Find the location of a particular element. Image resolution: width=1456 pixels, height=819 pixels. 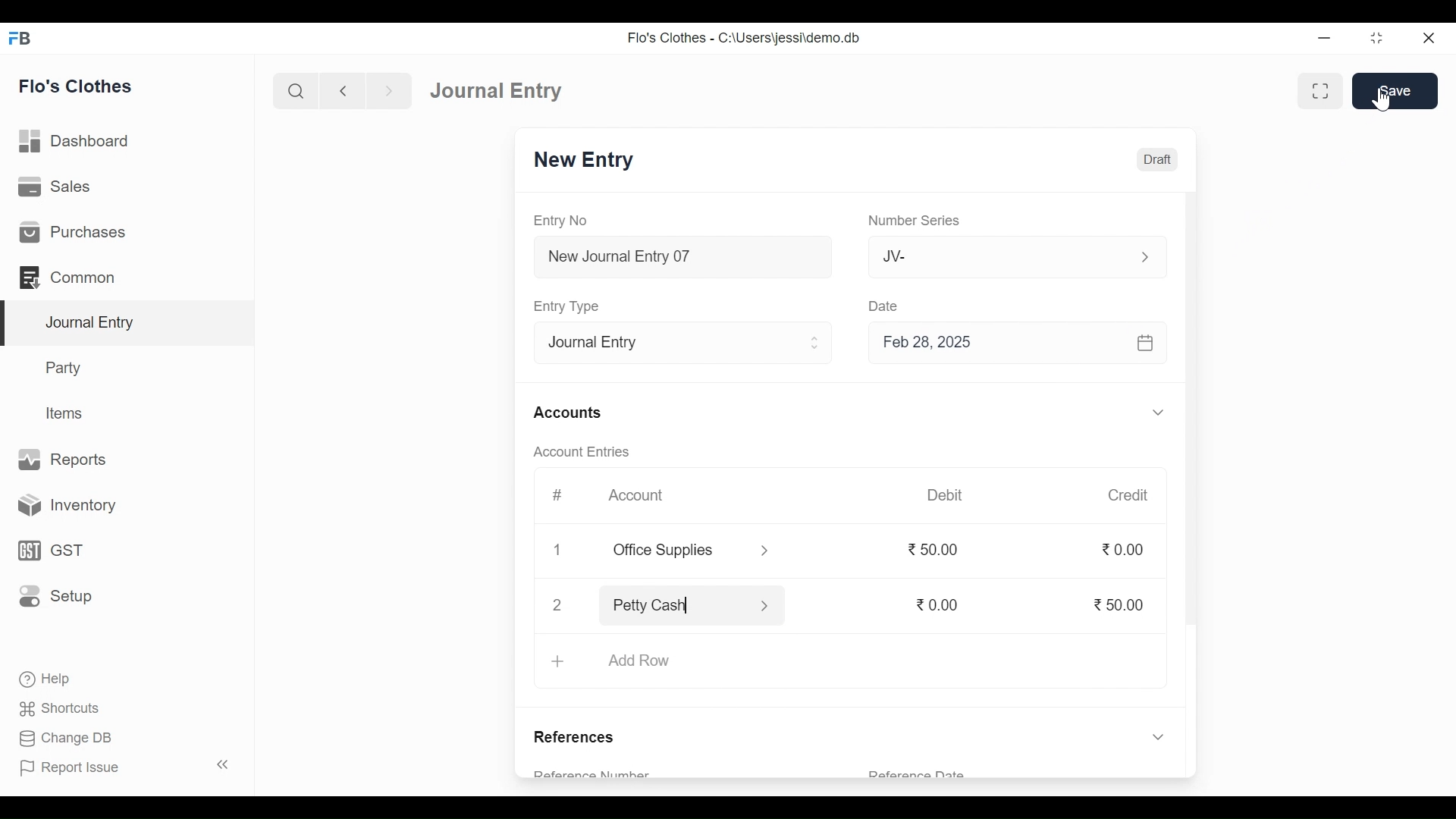

Debit is located at coordinates (943, 495).